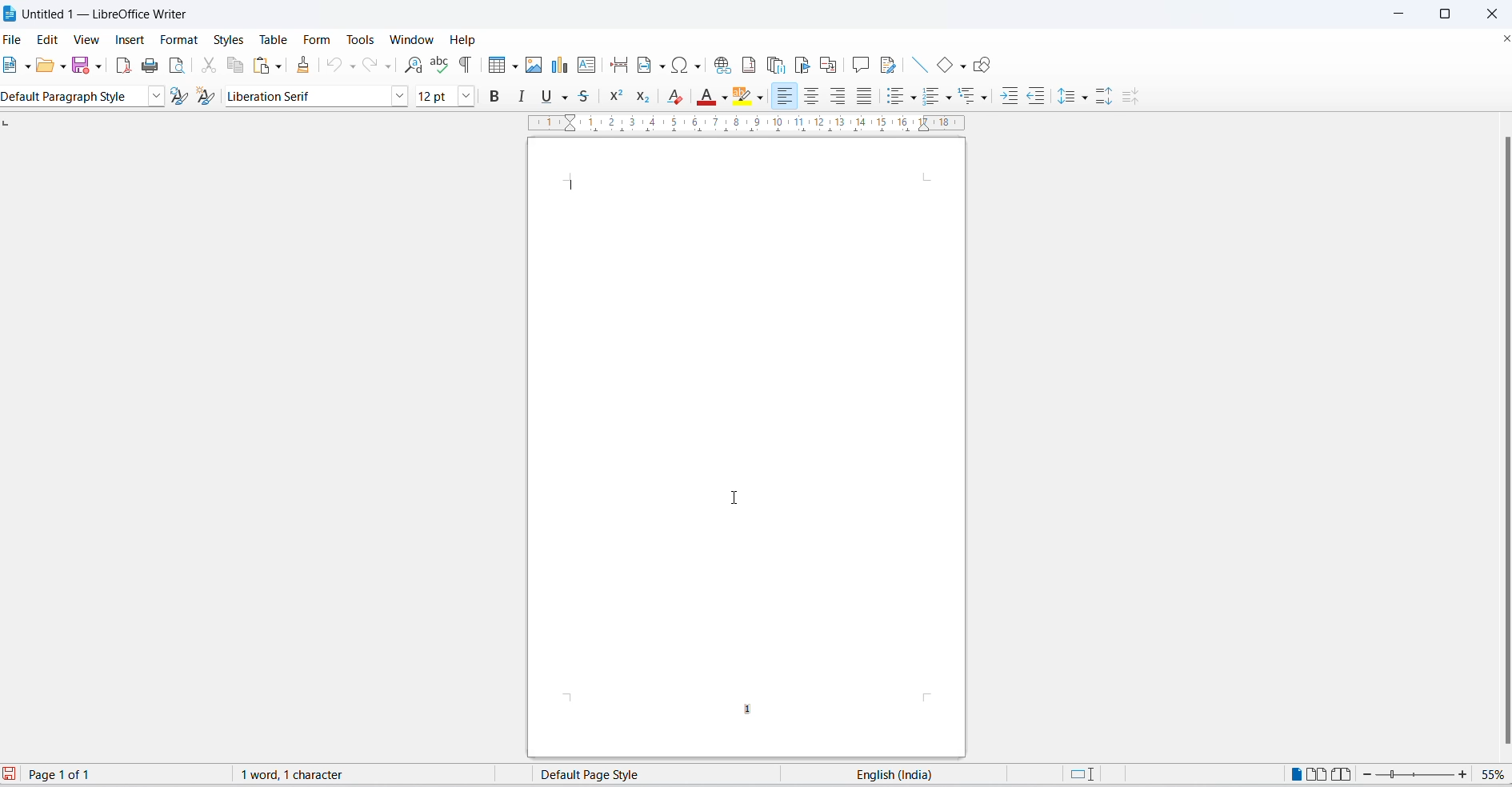 The height and width of the screenshot is (787, 1512). I want to click on basic shapes options, so click(958, 66).